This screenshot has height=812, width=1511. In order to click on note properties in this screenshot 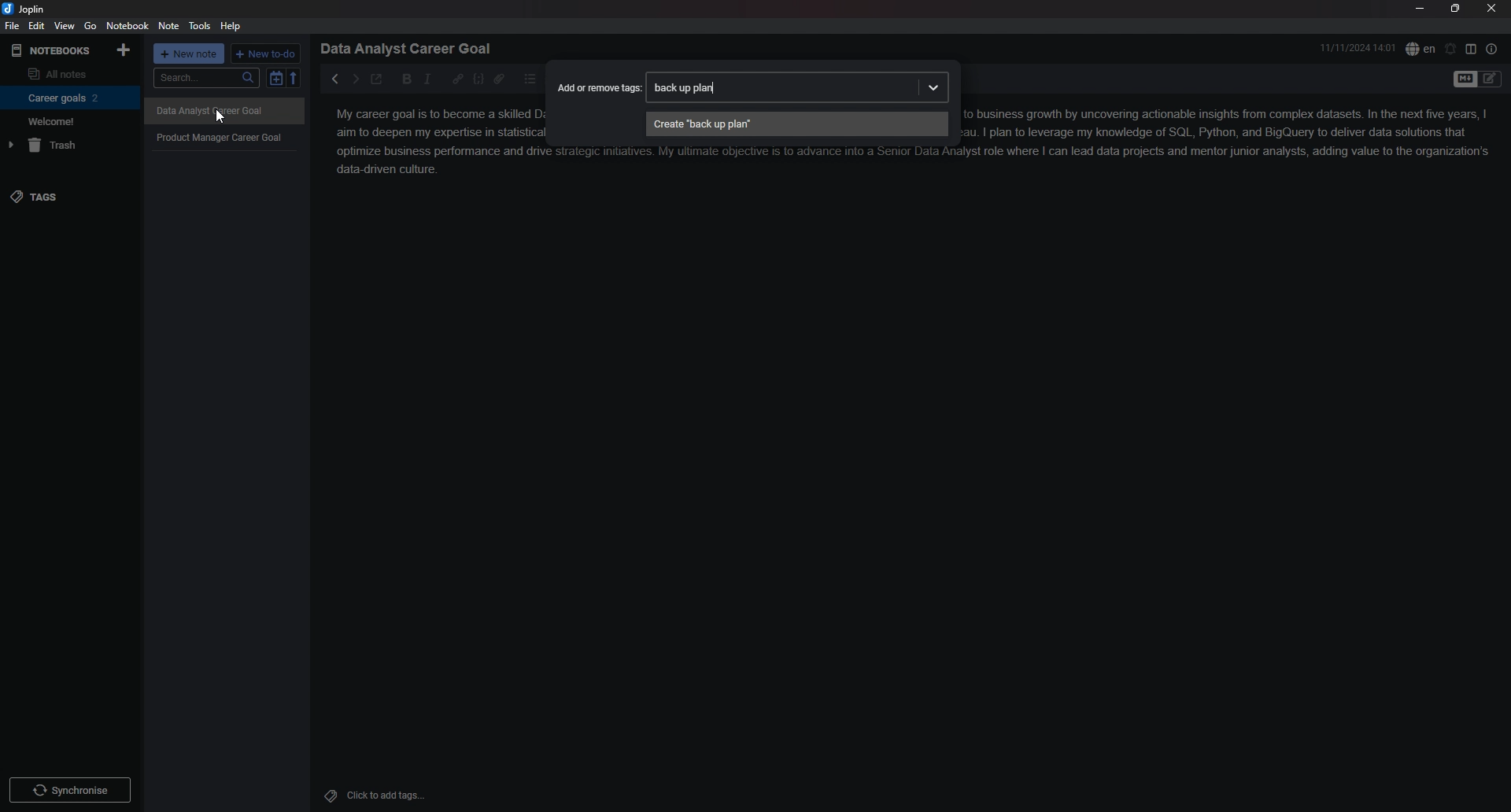, I will do `click(1492, 49)`.